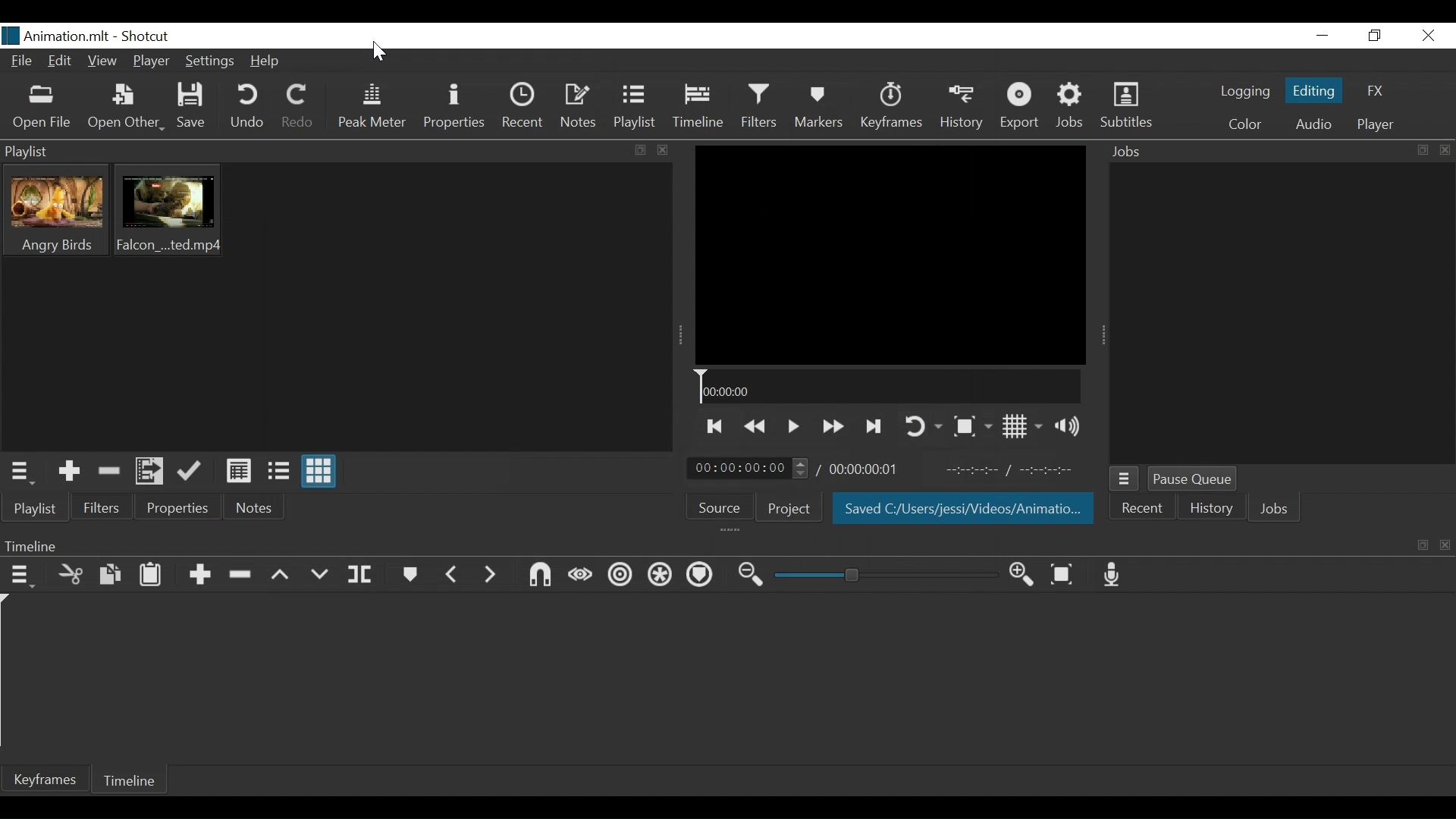 The image size is (1456, 819). Describe the element at coordinates (873, 426) in the screenshot. I see `Skip to the next point` at that location.